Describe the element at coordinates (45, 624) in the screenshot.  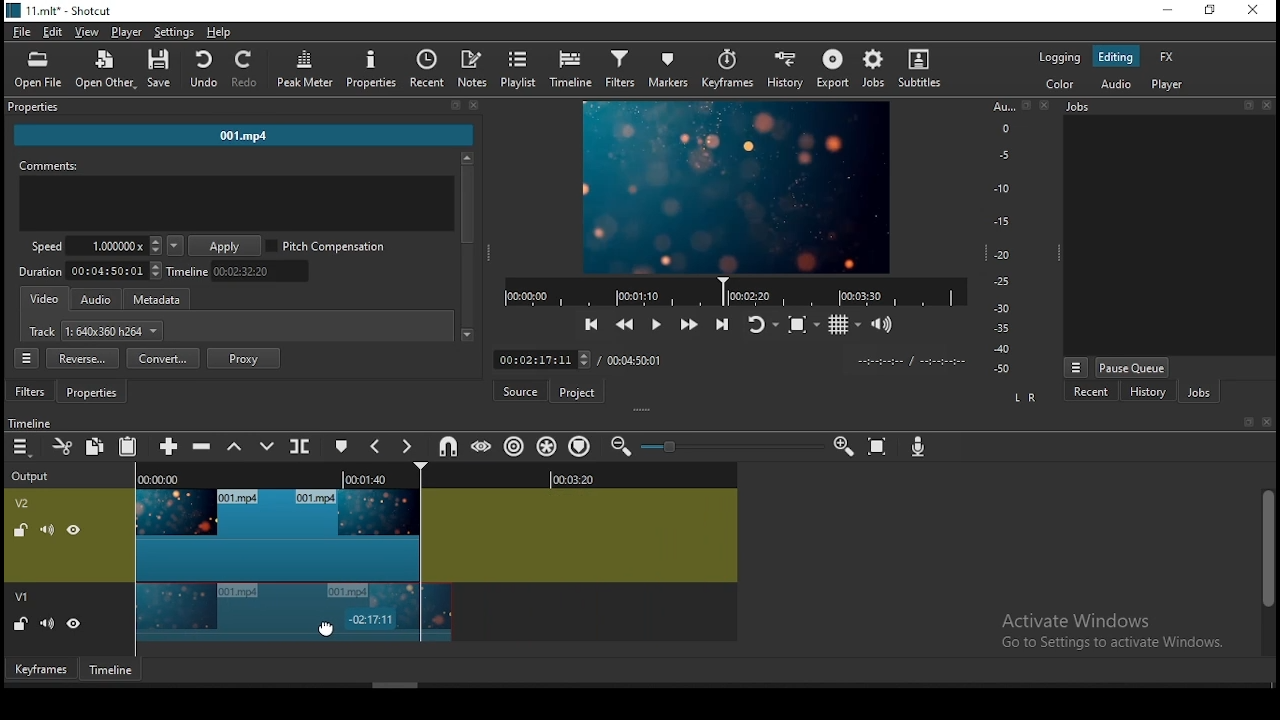
I see `(UN)MUTE` at that location.